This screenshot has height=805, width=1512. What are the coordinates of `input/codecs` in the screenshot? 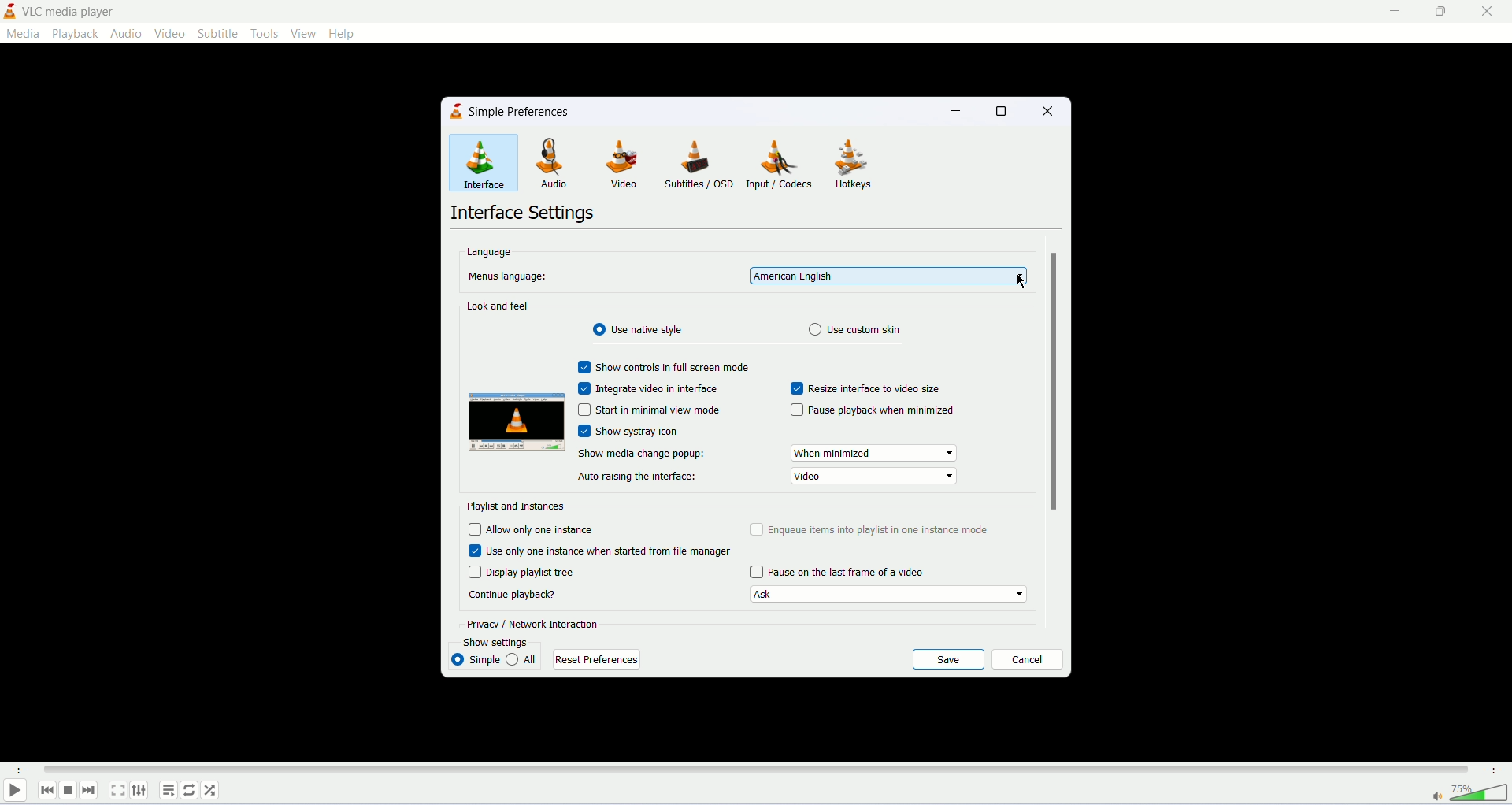 It's located at (779, 163).